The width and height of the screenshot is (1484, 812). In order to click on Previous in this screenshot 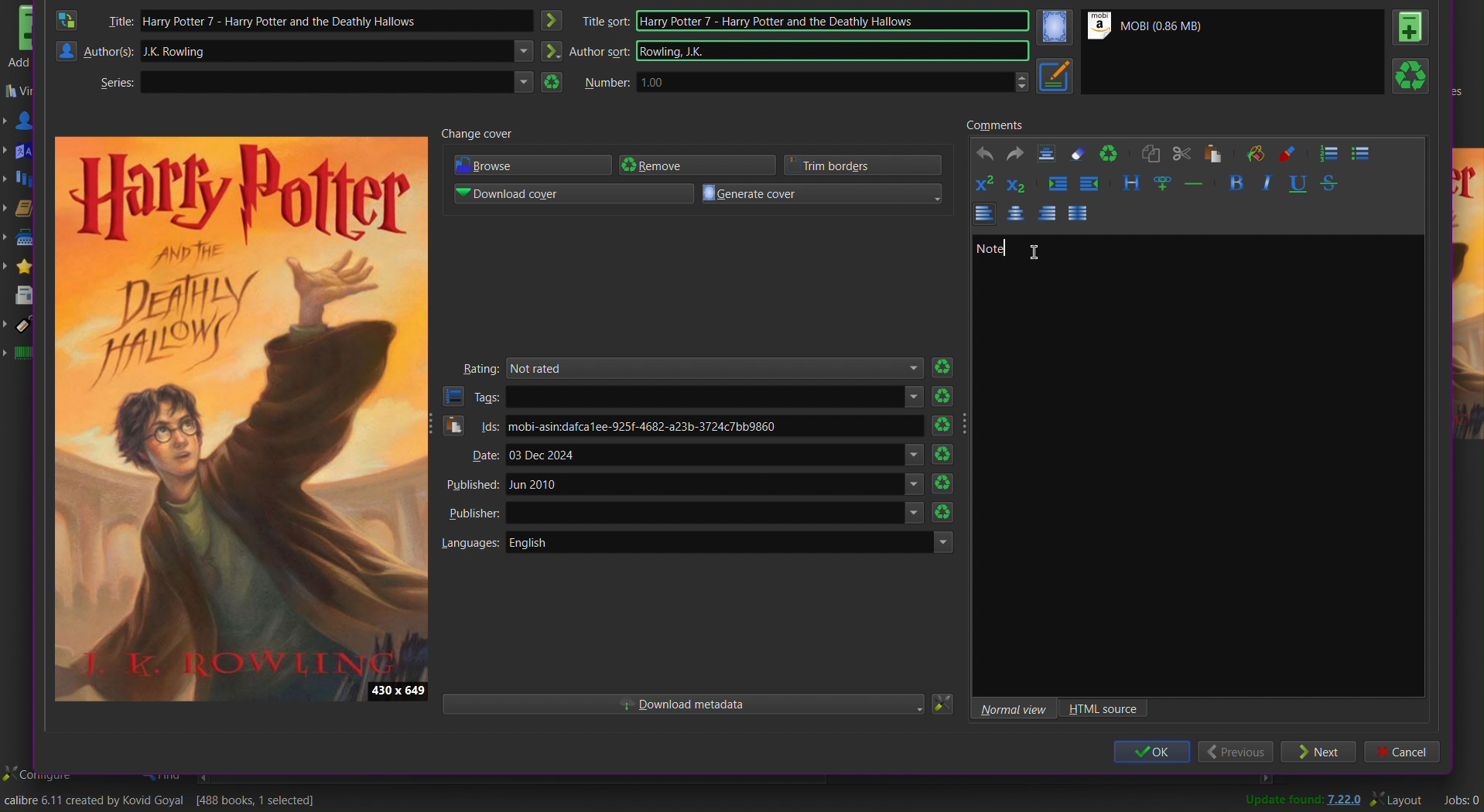, I will do `click(1239, 753)`.